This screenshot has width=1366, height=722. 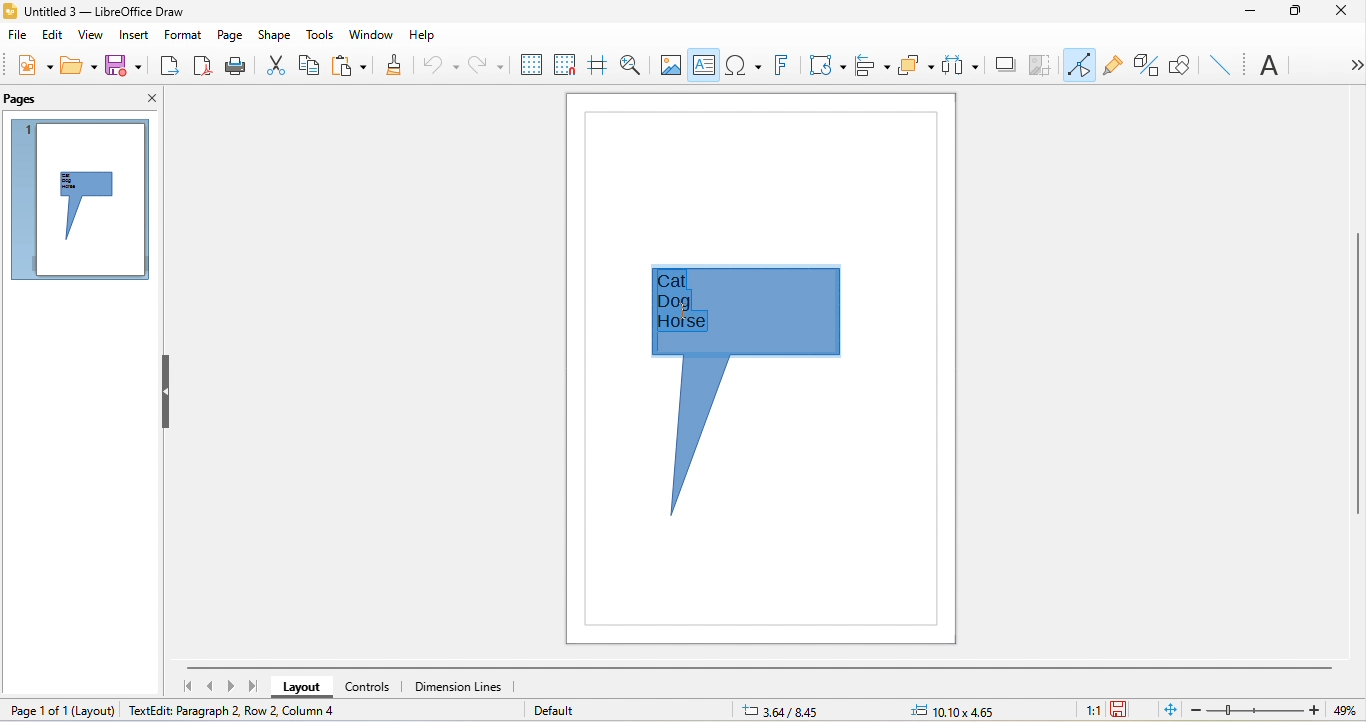 What do you see at coordinates (559, 710) in the screenshot?
I see `default` at bounding box center [559, 710].